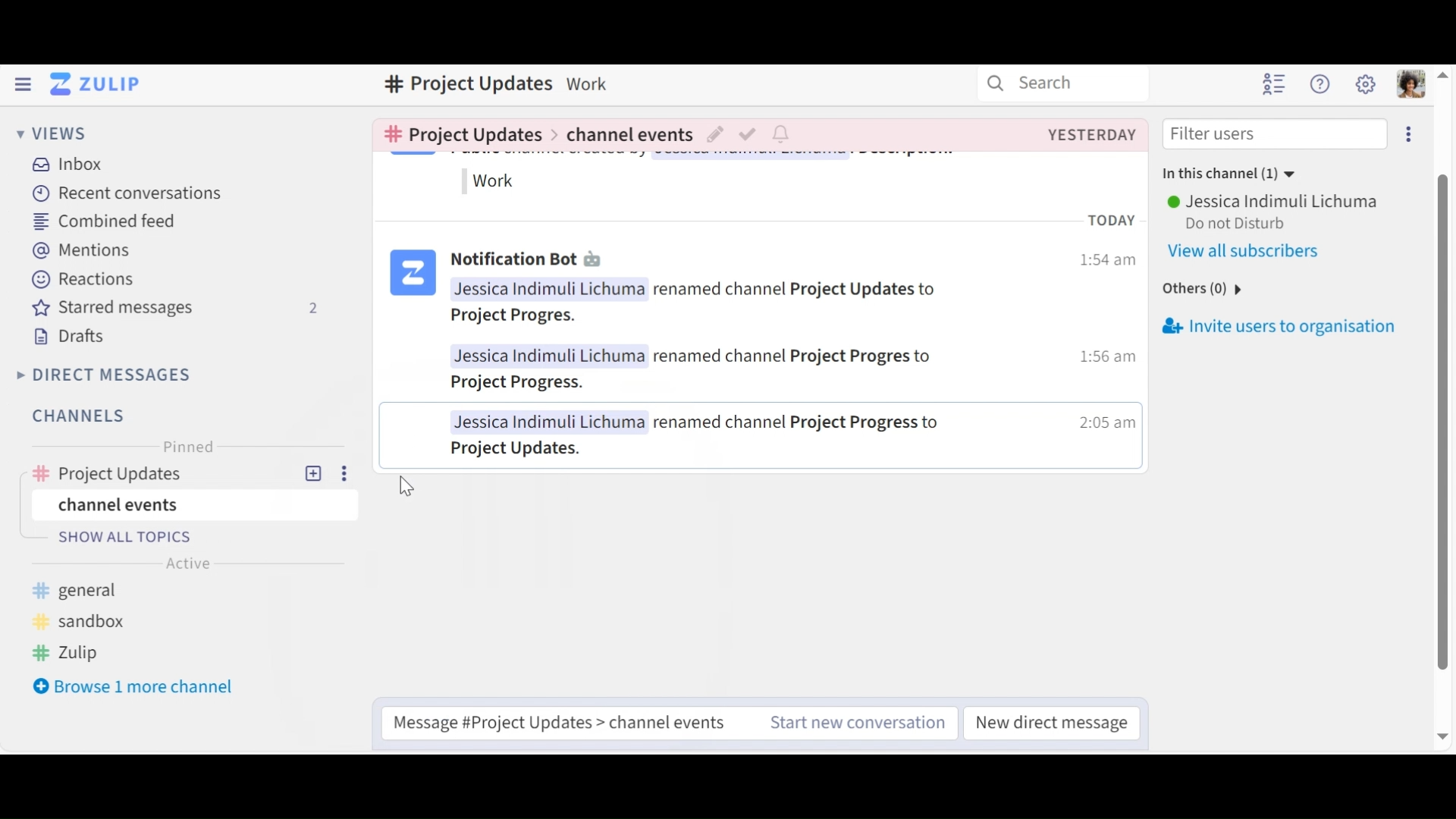 The image size is (1456, 819). What do you see at coordinates (512, 262) in the screenshot?
I see `Notification Bot` at bounding box center [512, 262].